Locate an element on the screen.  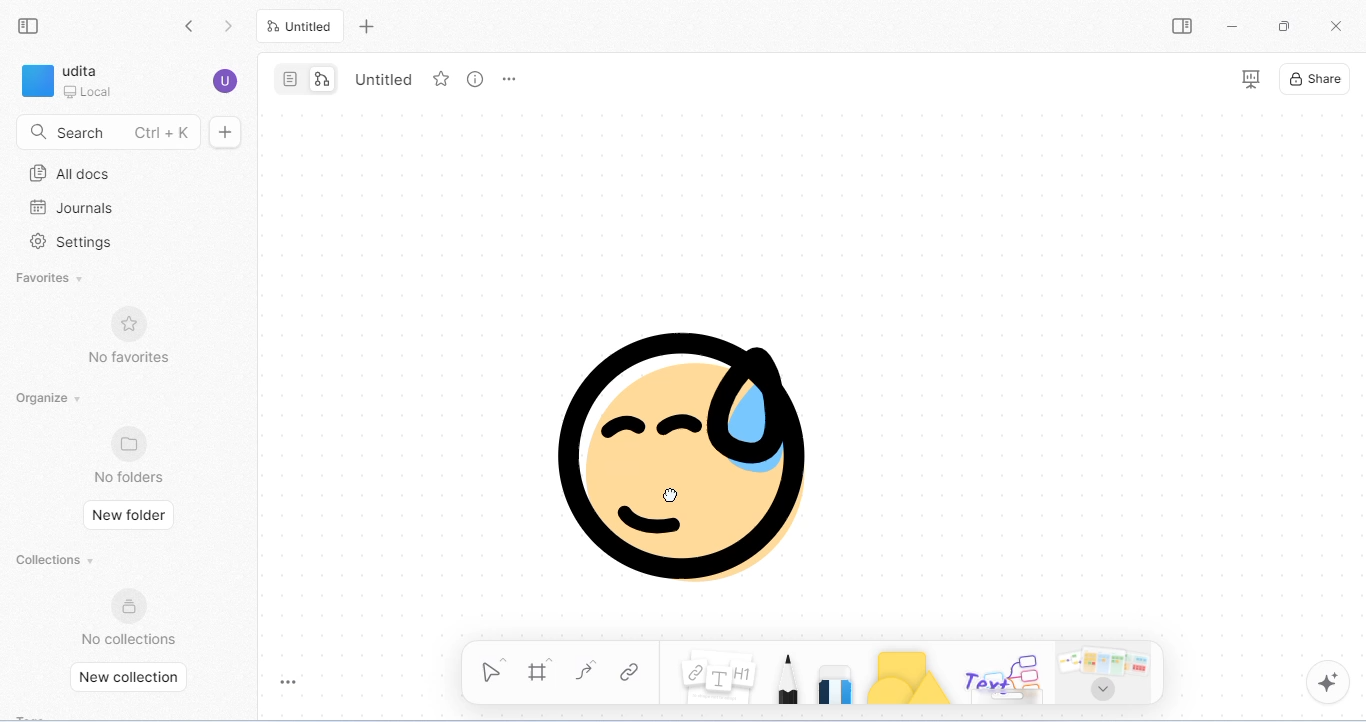
new collection is located at coordinates (135, 678).